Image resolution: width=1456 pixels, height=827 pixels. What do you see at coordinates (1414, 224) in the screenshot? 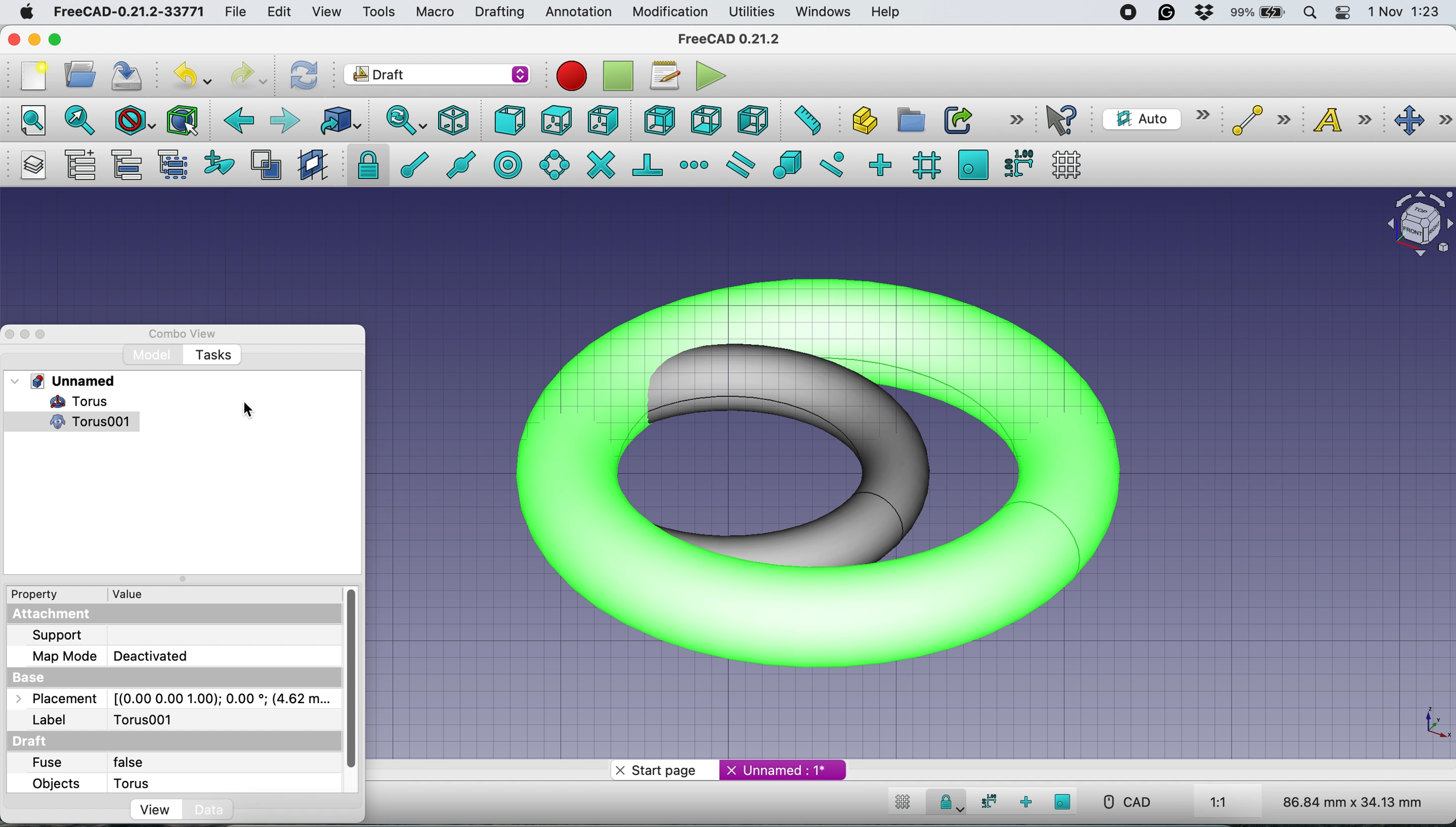
I see `Navigation Cube` at bounding box center [1414, 224].